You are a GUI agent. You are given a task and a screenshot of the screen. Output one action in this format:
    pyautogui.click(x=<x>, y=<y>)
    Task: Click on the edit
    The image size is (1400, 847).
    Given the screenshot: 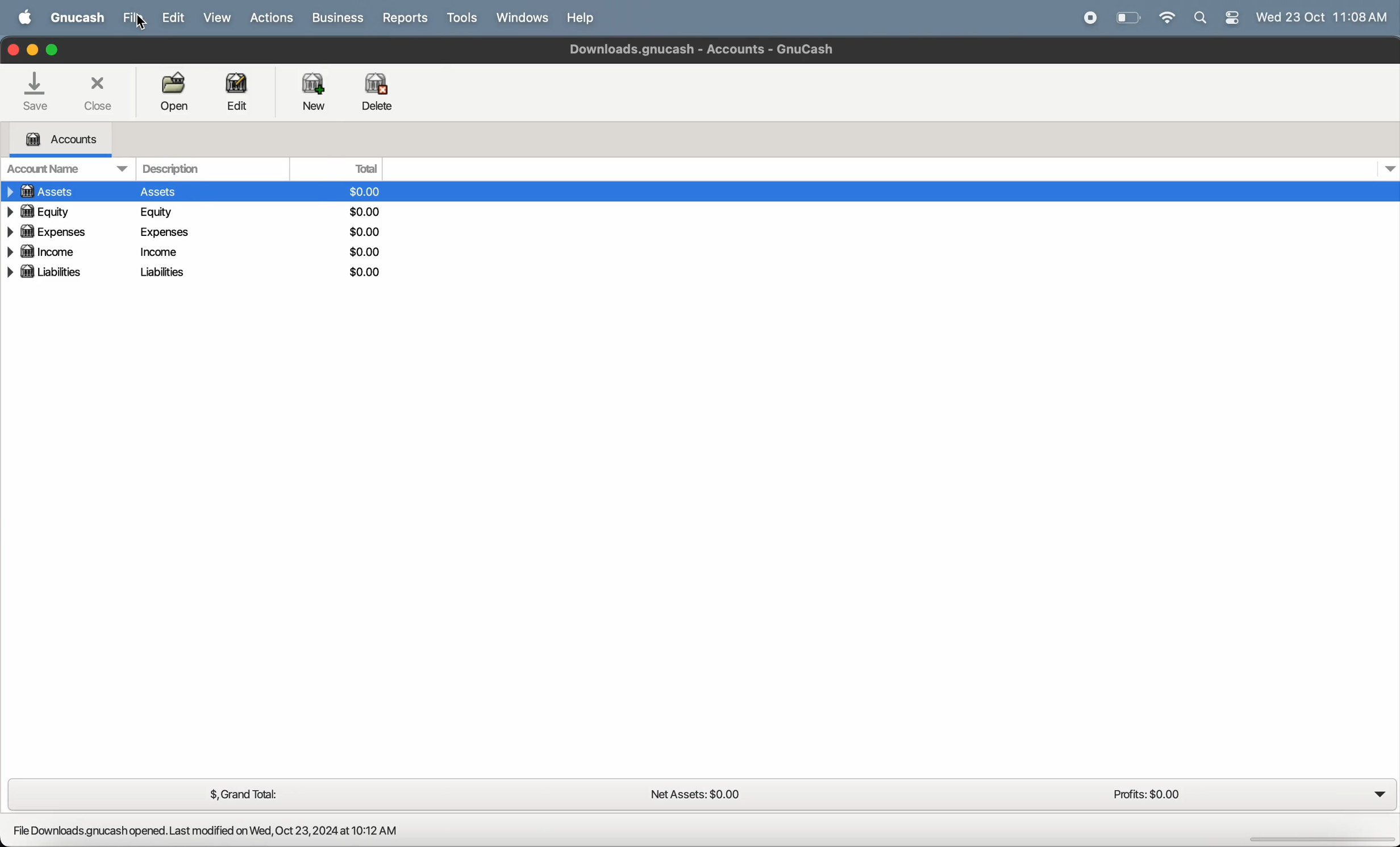 What is the action you would take?
    pyautogui.click(x=235, y=92)
    